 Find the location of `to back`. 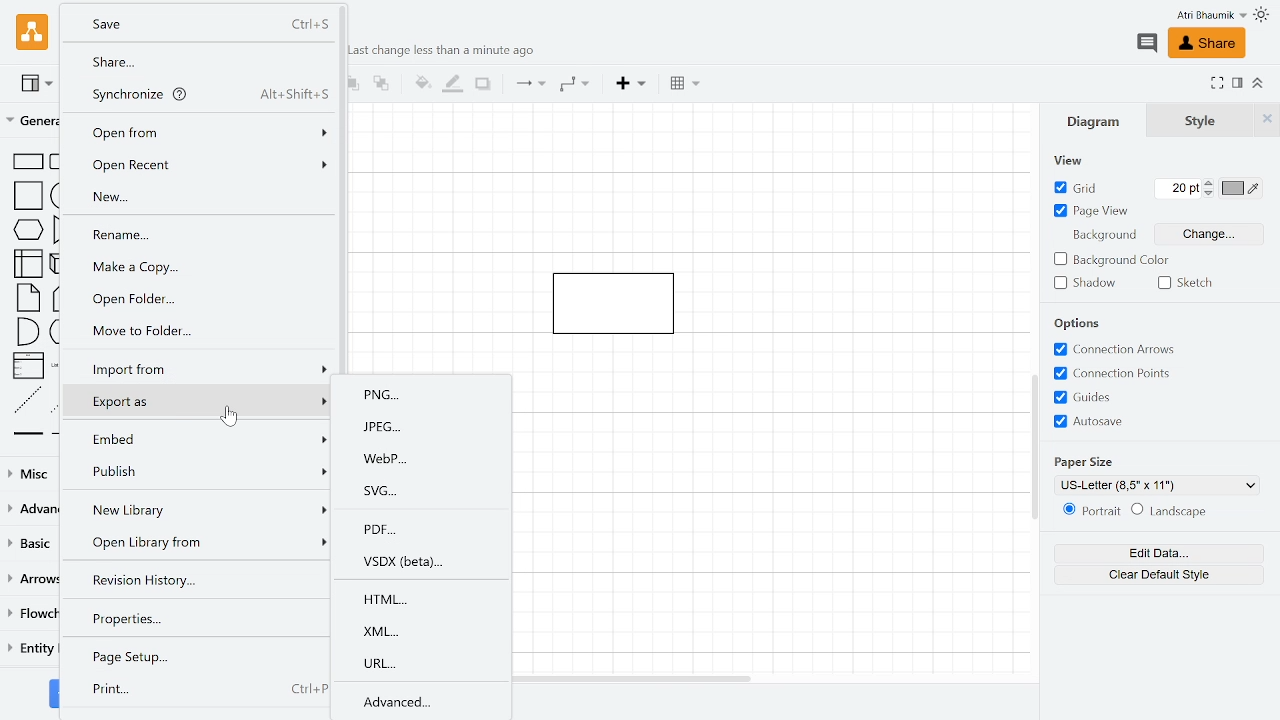

to back is located at coordinates (381, 86).